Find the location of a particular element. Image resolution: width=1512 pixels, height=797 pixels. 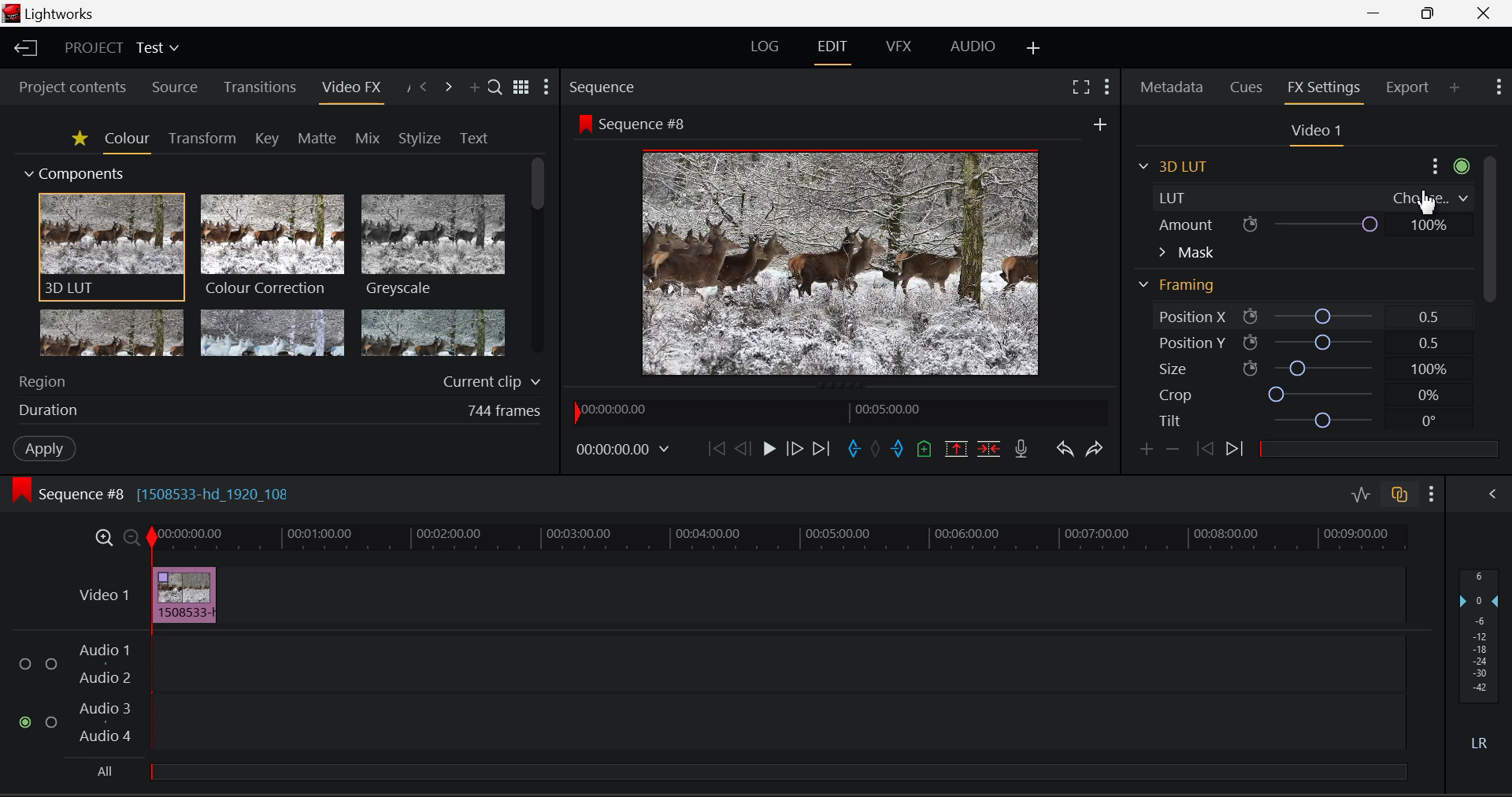

Show Settings is located at coordinates (1106, 85).